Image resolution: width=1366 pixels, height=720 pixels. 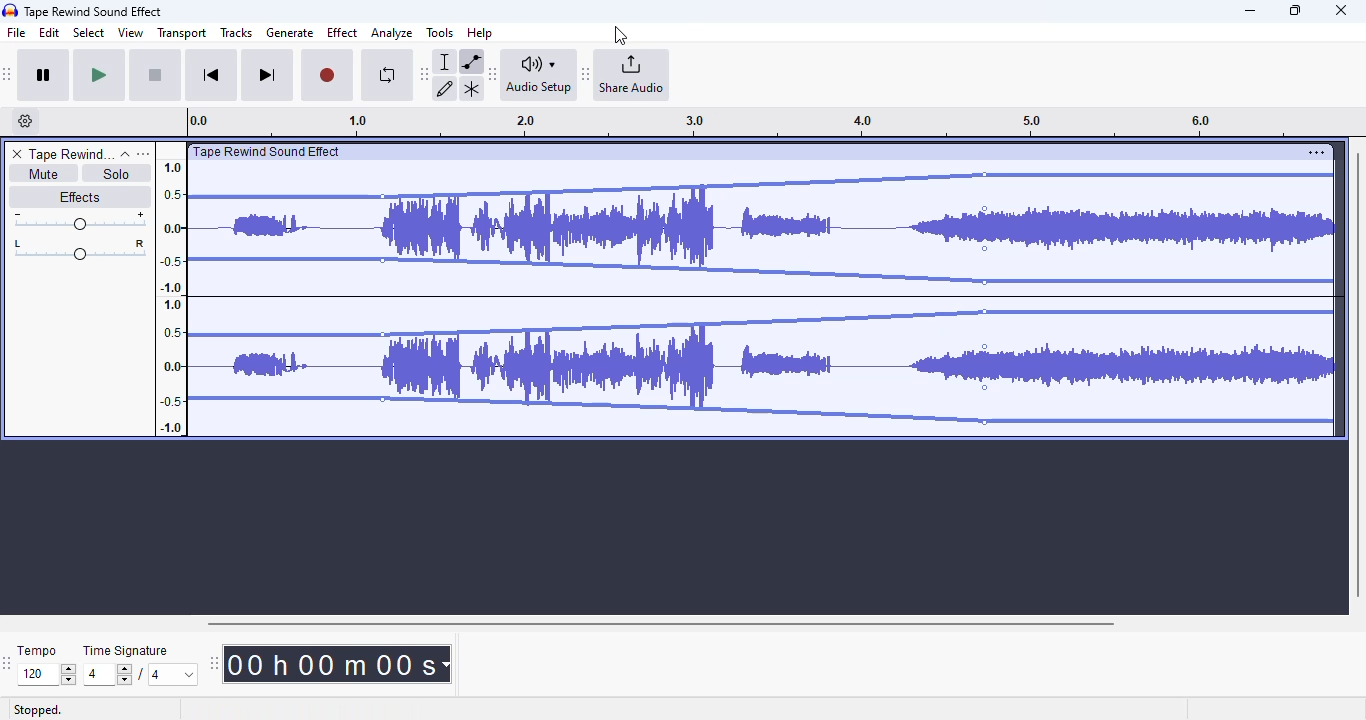 What do you see at coordinates (440, 32) in the screenshot?
I see `tools` at bounding box center [440, 32].